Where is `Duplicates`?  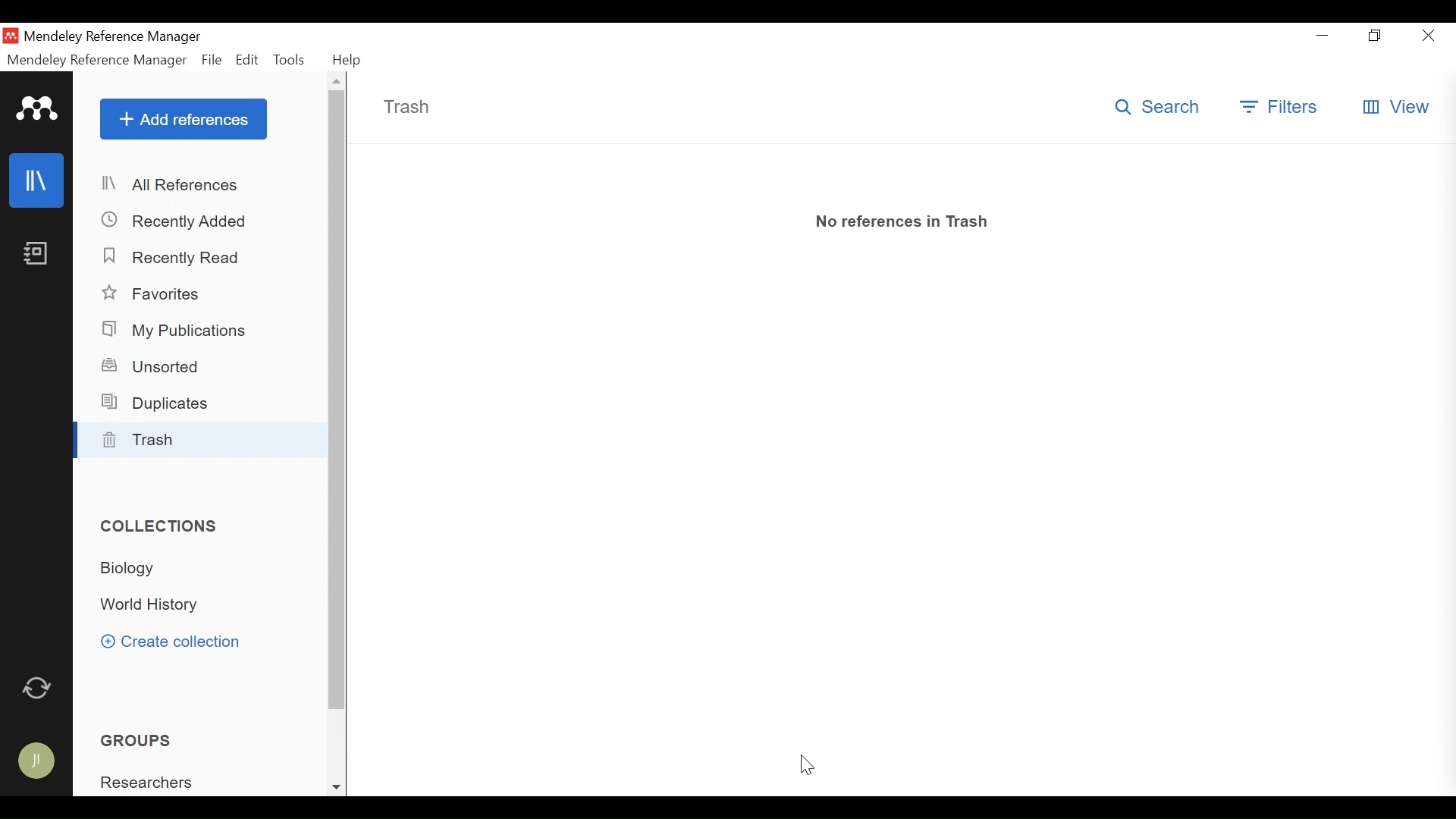 Duplicates is located at coordinates (161, 403).